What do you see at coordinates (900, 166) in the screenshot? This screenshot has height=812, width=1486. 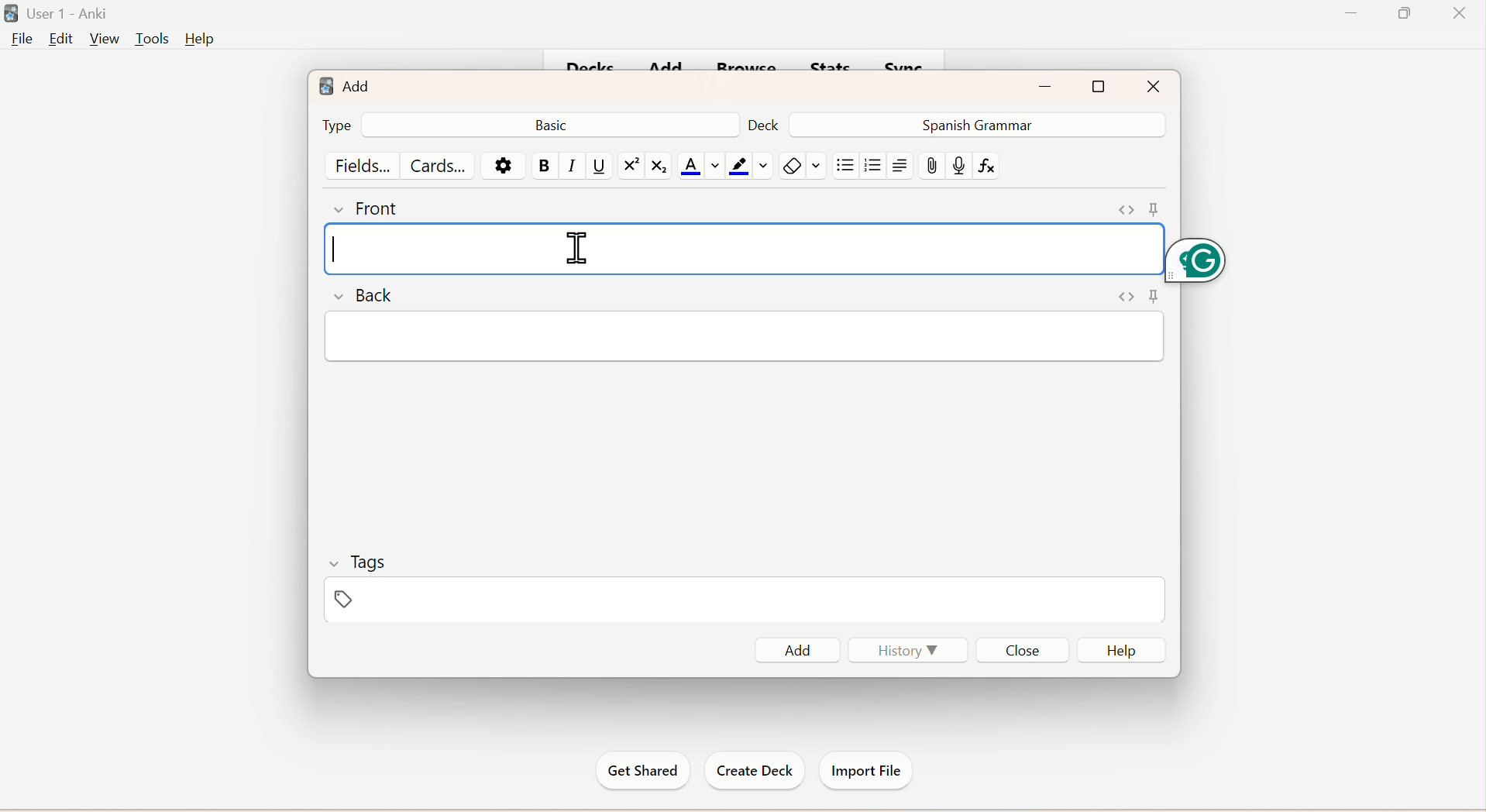 I see `Text Alignment` at bounding box center [900, 166].